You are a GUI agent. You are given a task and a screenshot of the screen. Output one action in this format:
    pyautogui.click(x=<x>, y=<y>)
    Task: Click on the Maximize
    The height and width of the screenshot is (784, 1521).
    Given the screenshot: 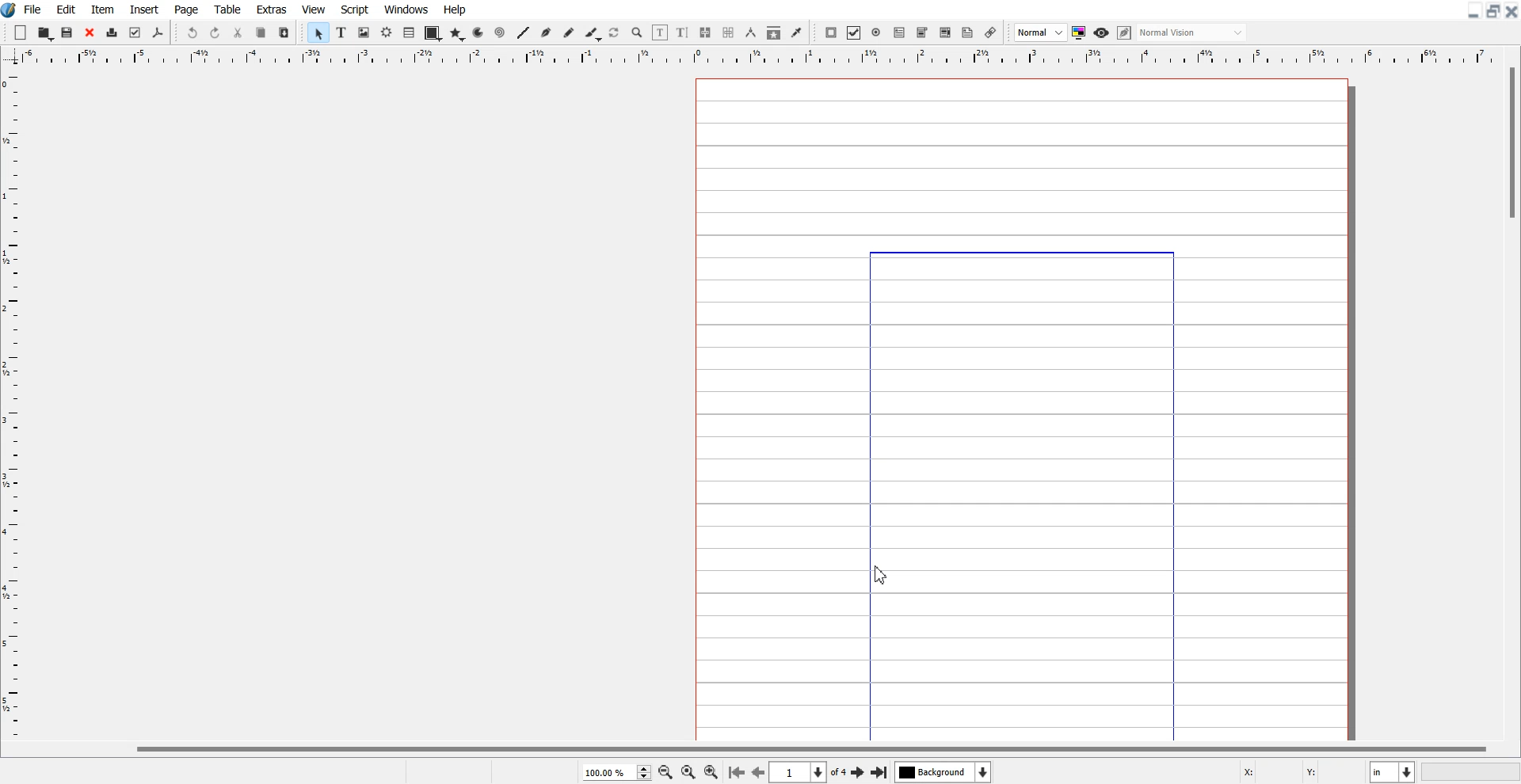 What is the action you would take?
    pyautogui.click(x=1490, y=10)
    